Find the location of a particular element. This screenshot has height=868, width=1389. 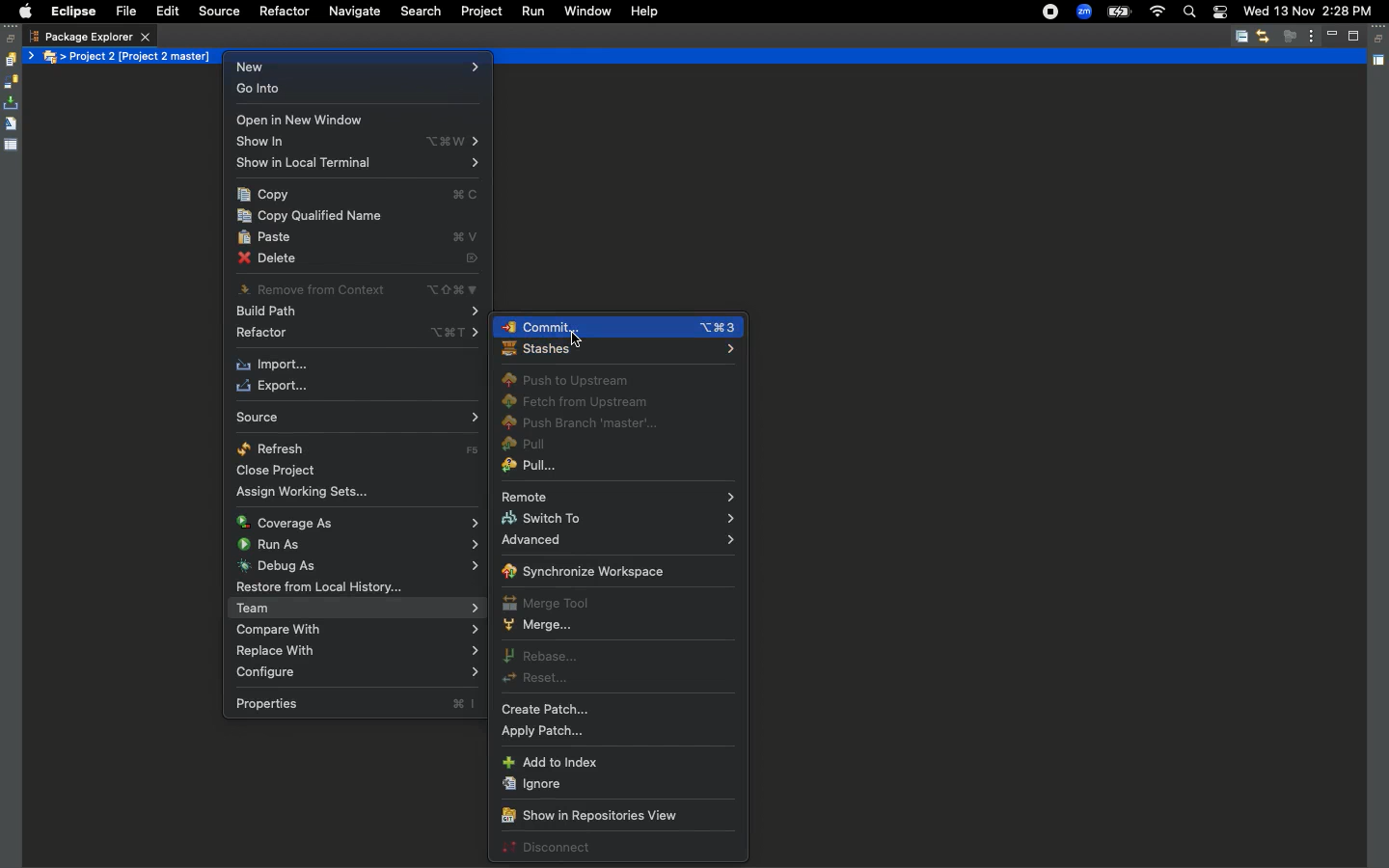

Show in local terminal is located at coordinates (364, 167).